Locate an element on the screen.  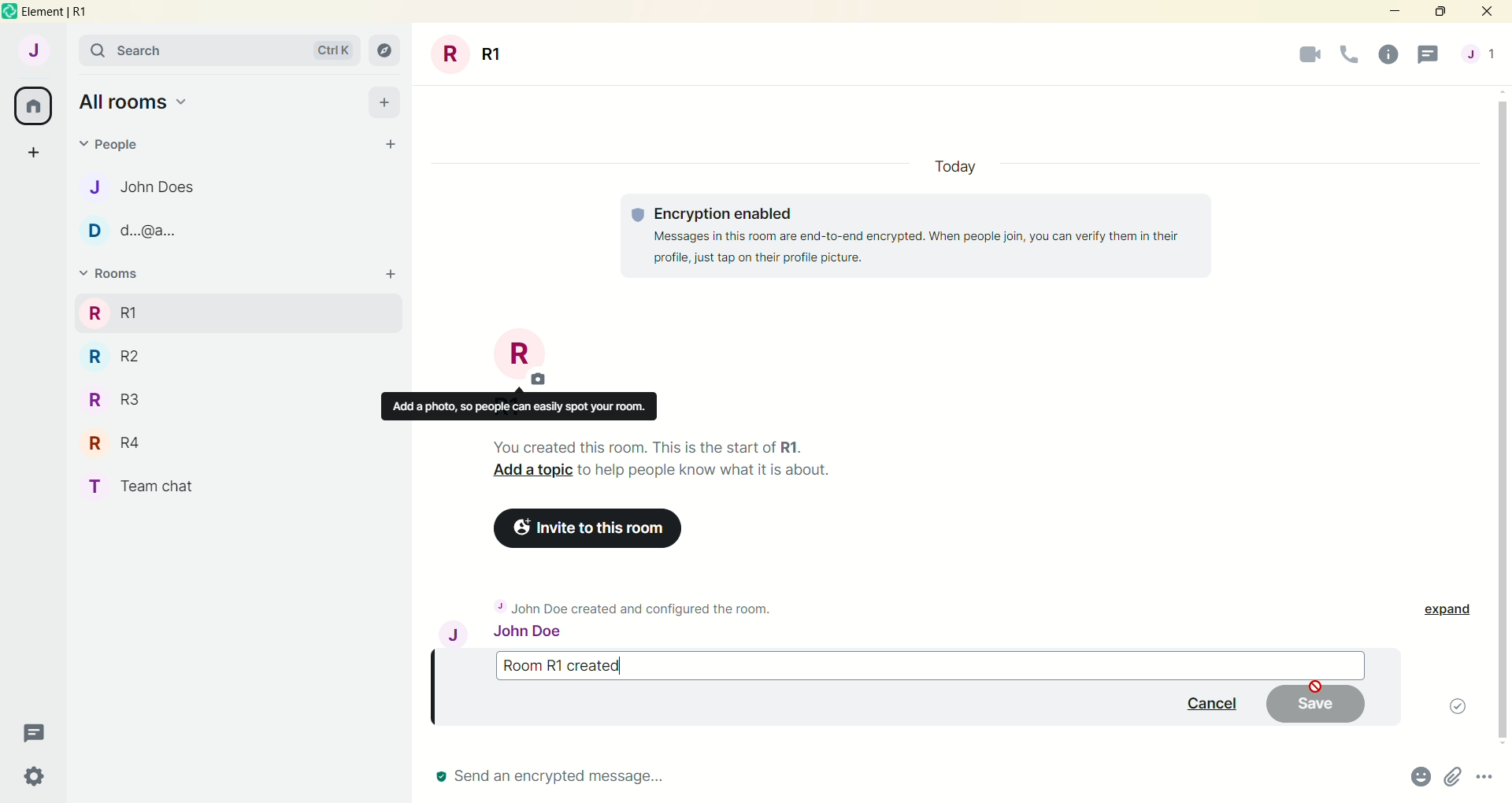
search is located at coordinates (223, 52).